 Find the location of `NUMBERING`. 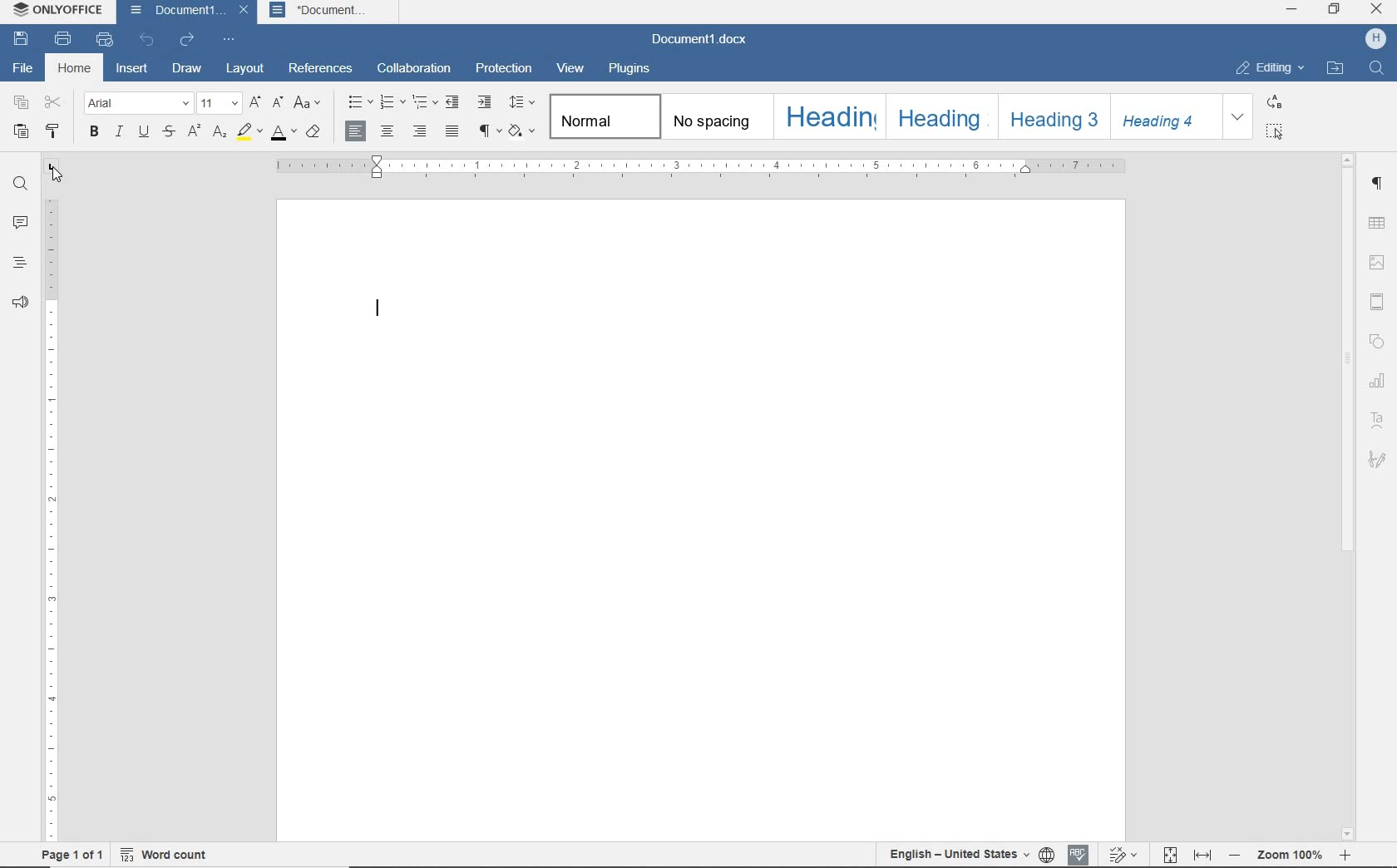

NUMBERING is located at coordinates (393, 103).